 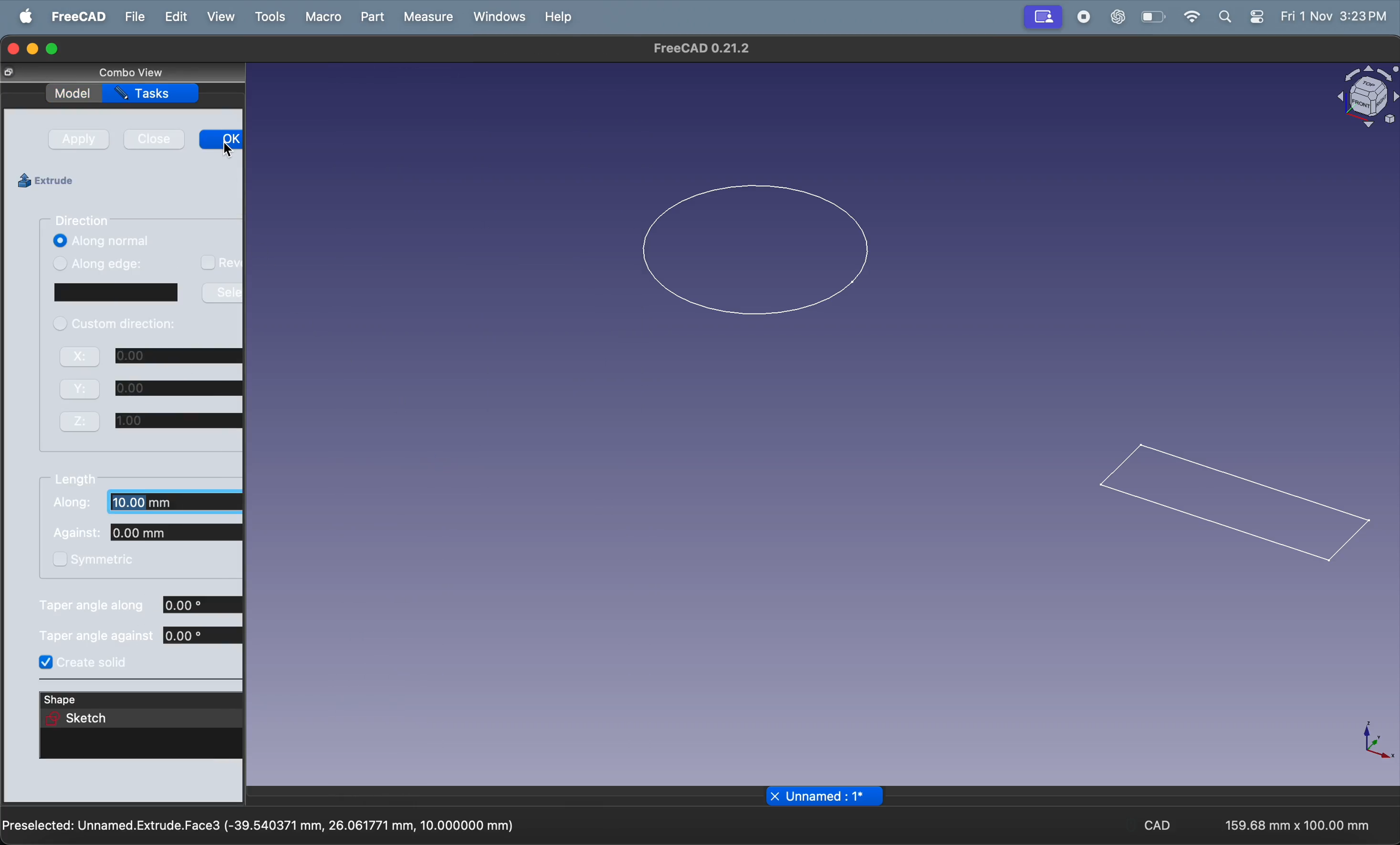 What do you see at coordinates (269, 17) in the screenshot?
I see `Tools` at bounding box center [269, 17].